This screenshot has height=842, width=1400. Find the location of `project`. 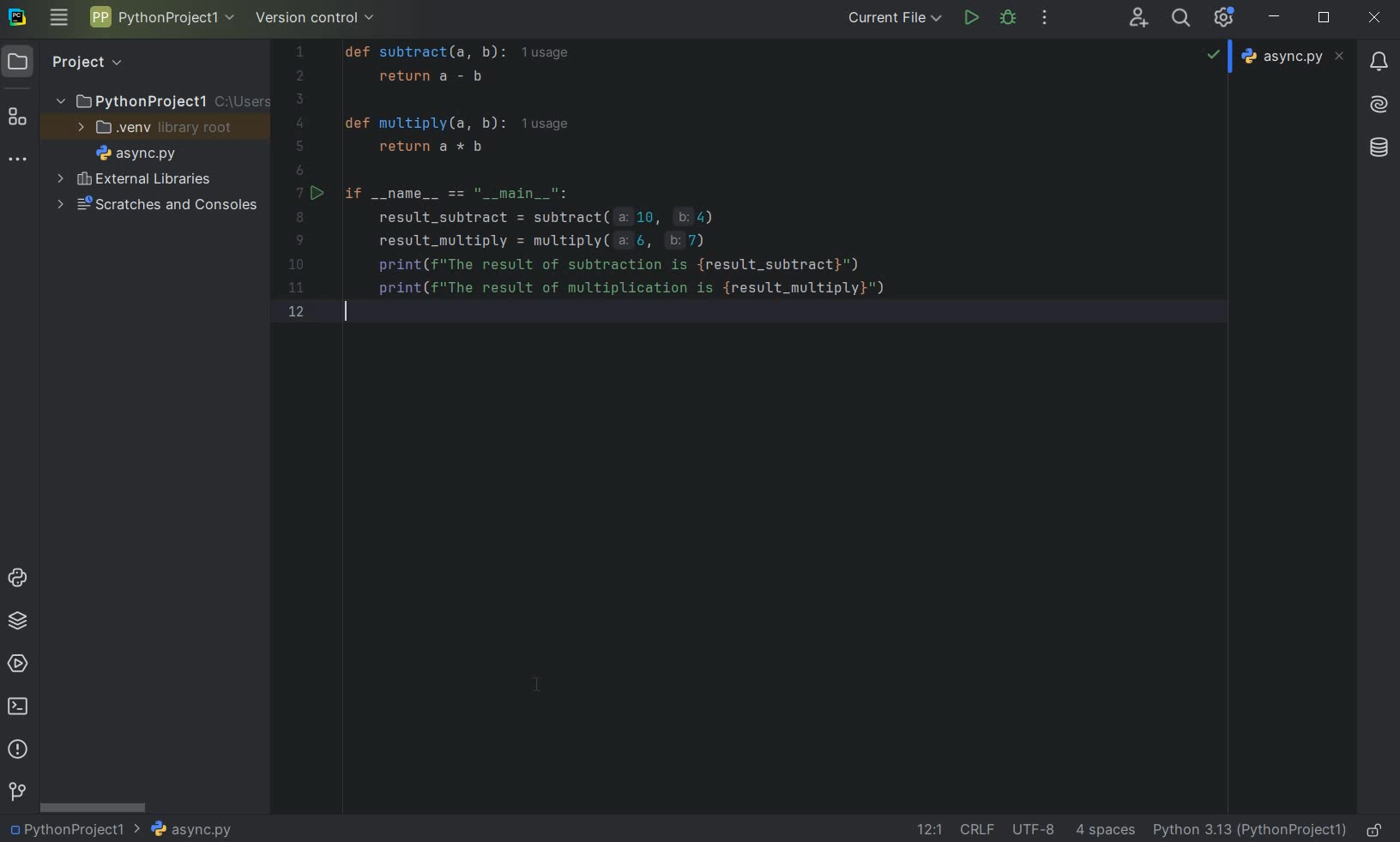

project is located at coordinates (68, 61).